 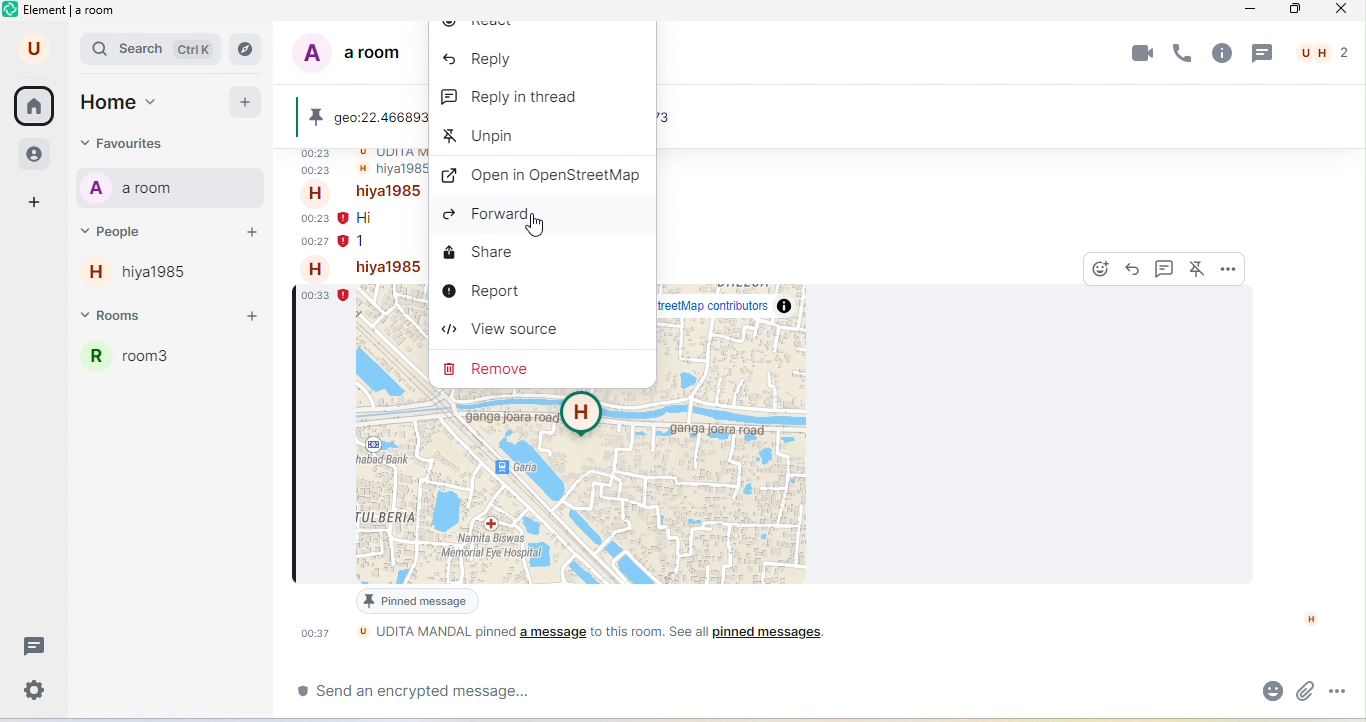 What do you see at coordinates (175, 365) in the screenshot?
I see `room 3` at bounding box center [175, 365].